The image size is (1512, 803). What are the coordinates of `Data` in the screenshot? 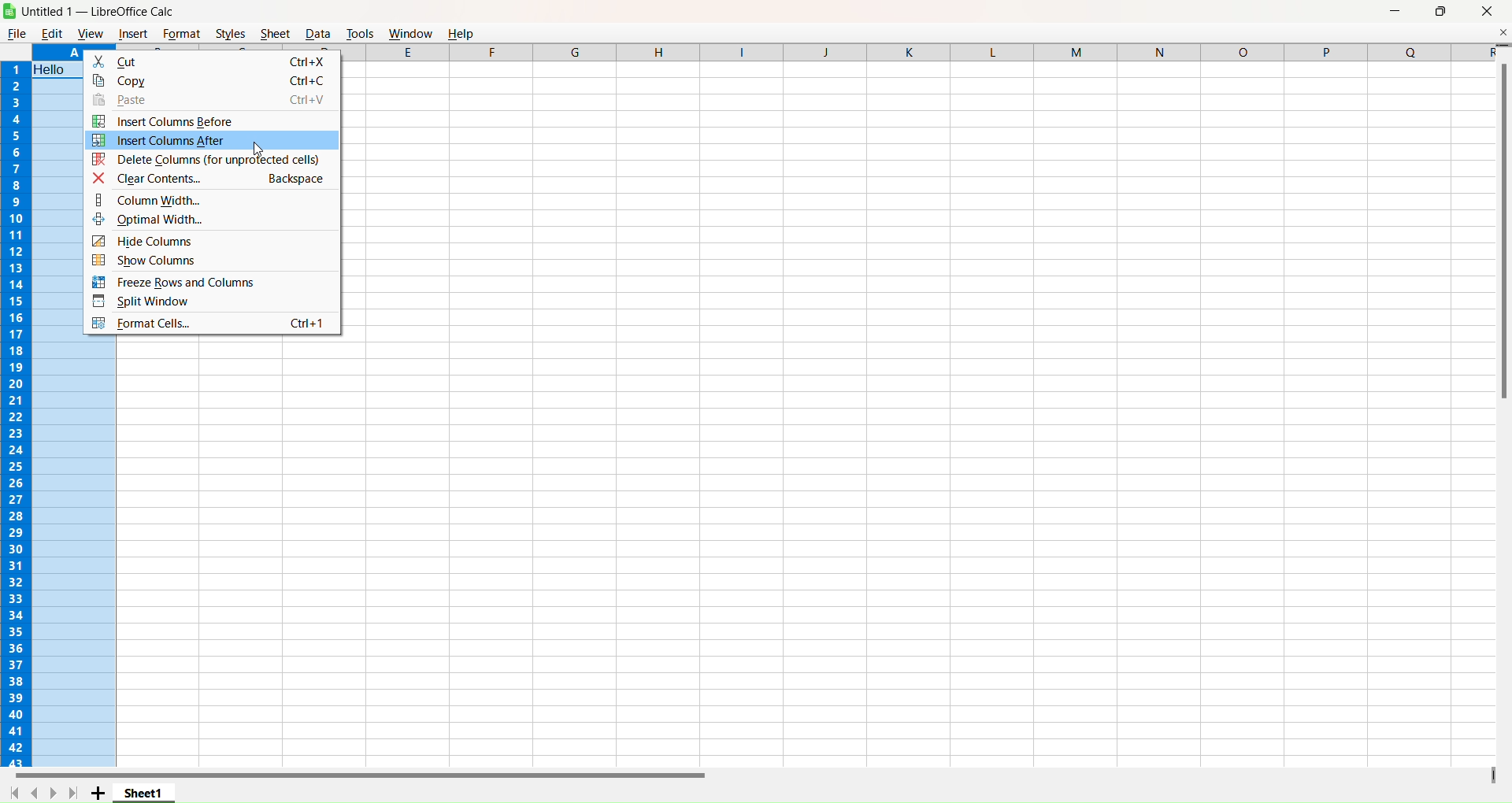 It's located at (317, 33).